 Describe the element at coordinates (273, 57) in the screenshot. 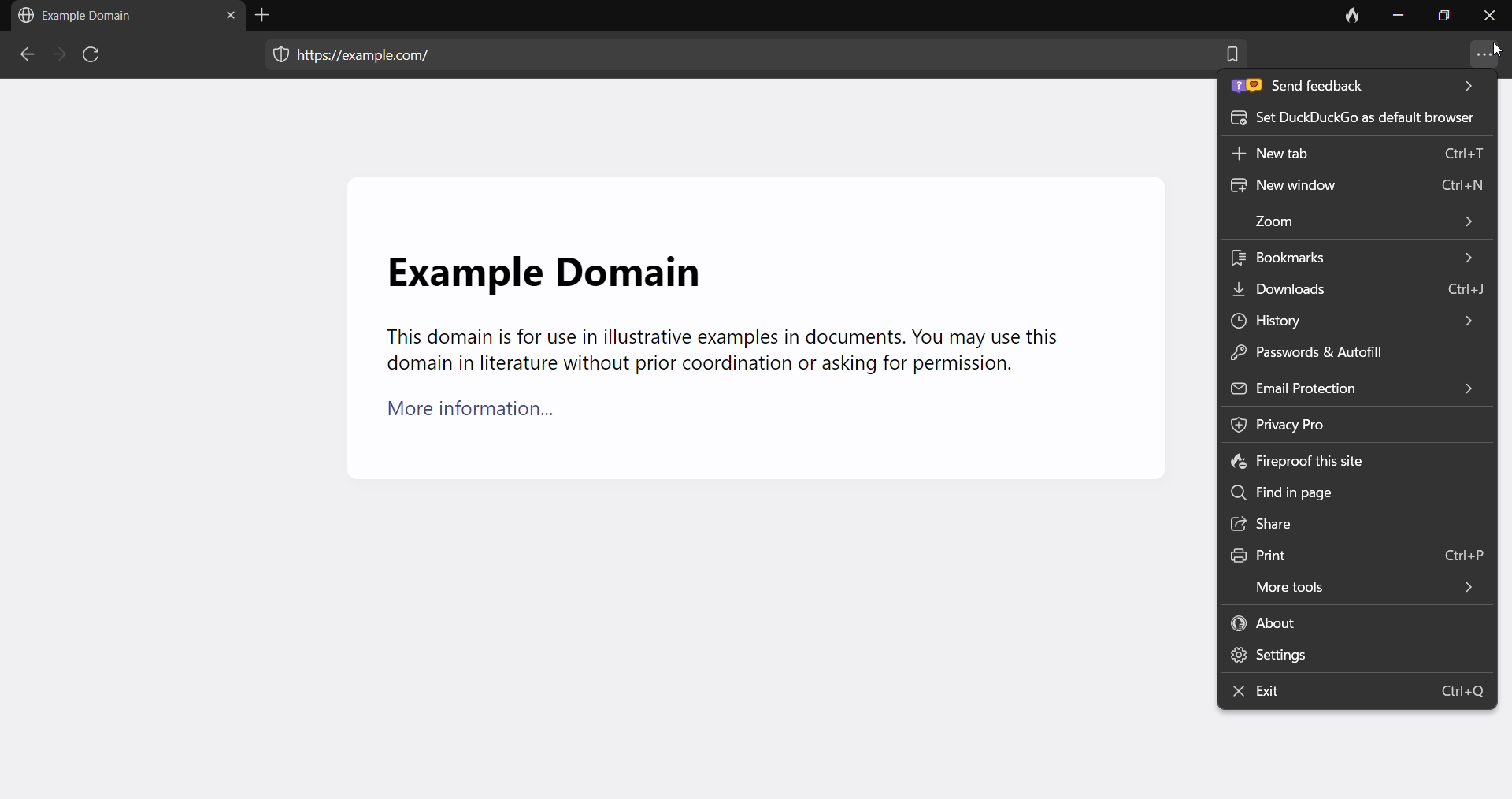

I see `protection menu` at that location.